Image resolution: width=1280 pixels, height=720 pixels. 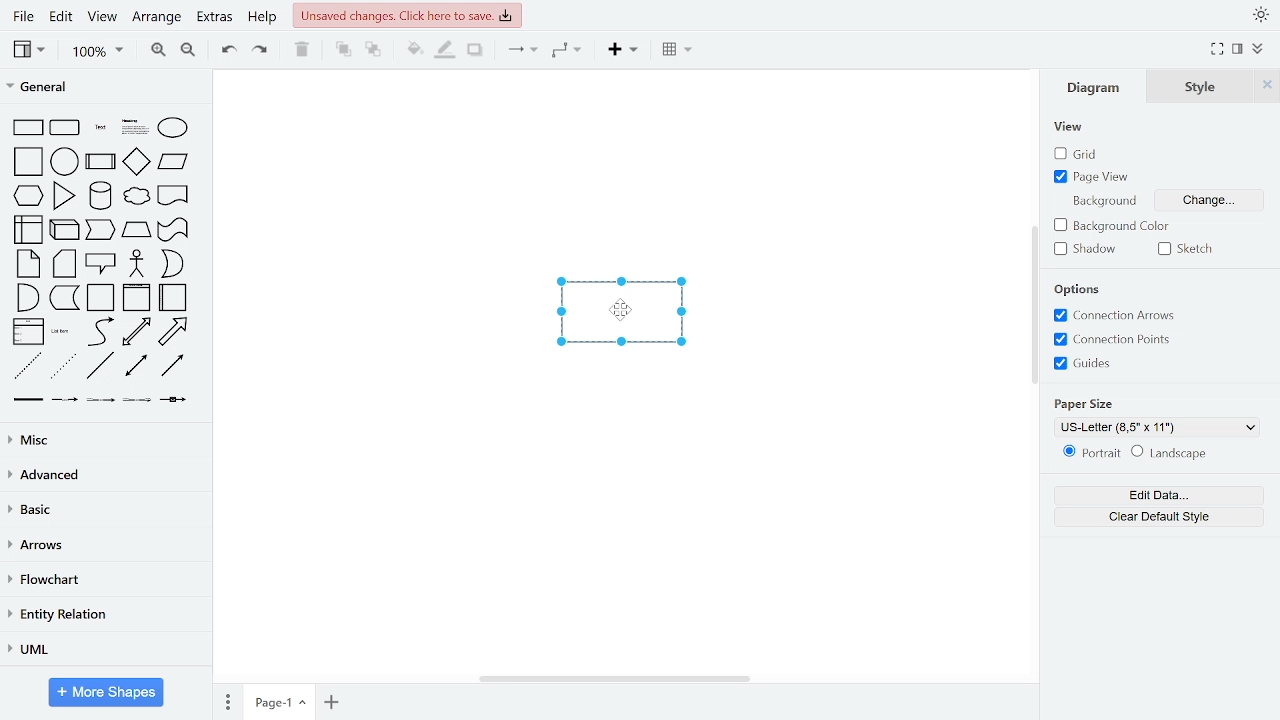 What do you see at coordinates (342, 52) in the screenshot?
I see `to front` at bounding box center [342, 52].